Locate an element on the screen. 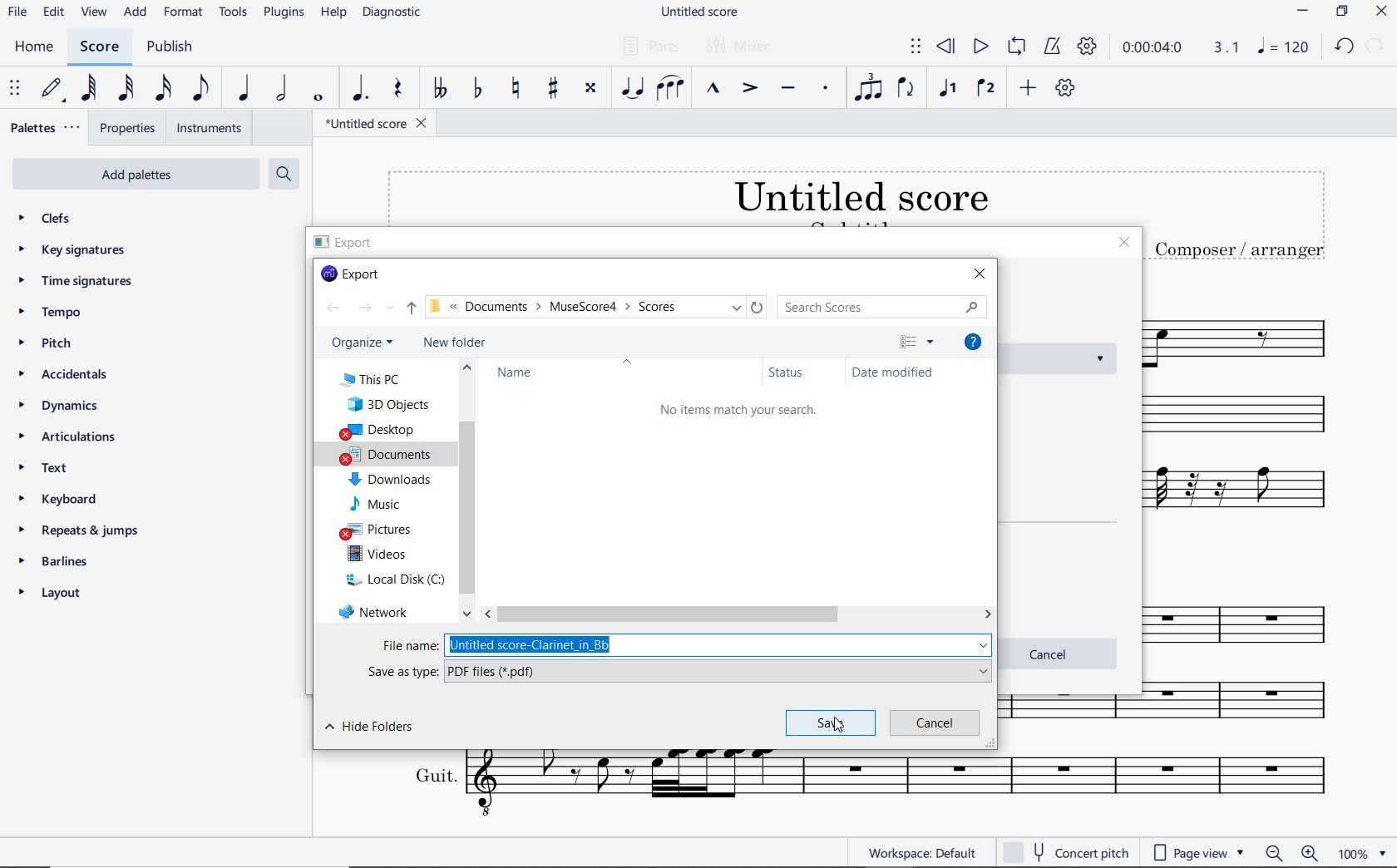 Image resolution: width=1397 pixels, height=868 pixels. articulations is located at coordinates (71, 437).